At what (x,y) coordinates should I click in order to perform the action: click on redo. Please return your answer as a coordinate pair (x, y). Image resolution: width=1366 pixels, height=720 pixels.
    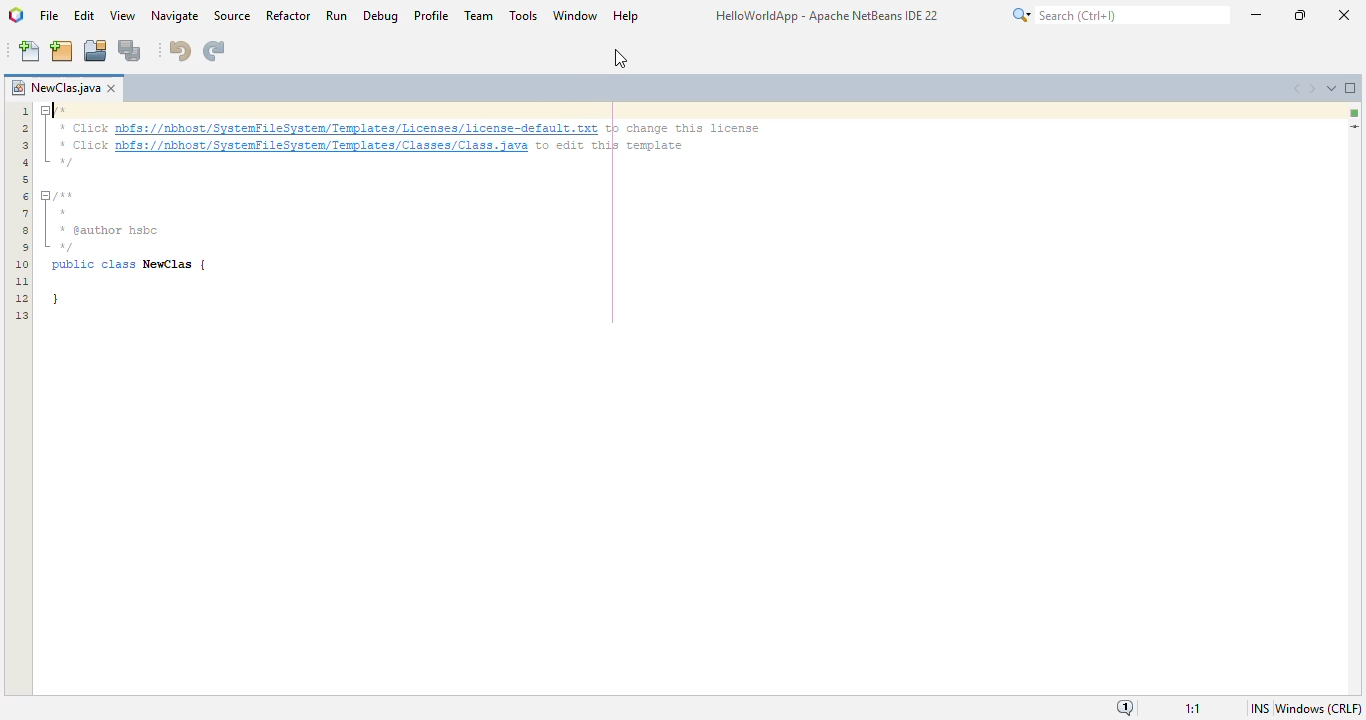
    Looking at the image, I should click on (215, 51).